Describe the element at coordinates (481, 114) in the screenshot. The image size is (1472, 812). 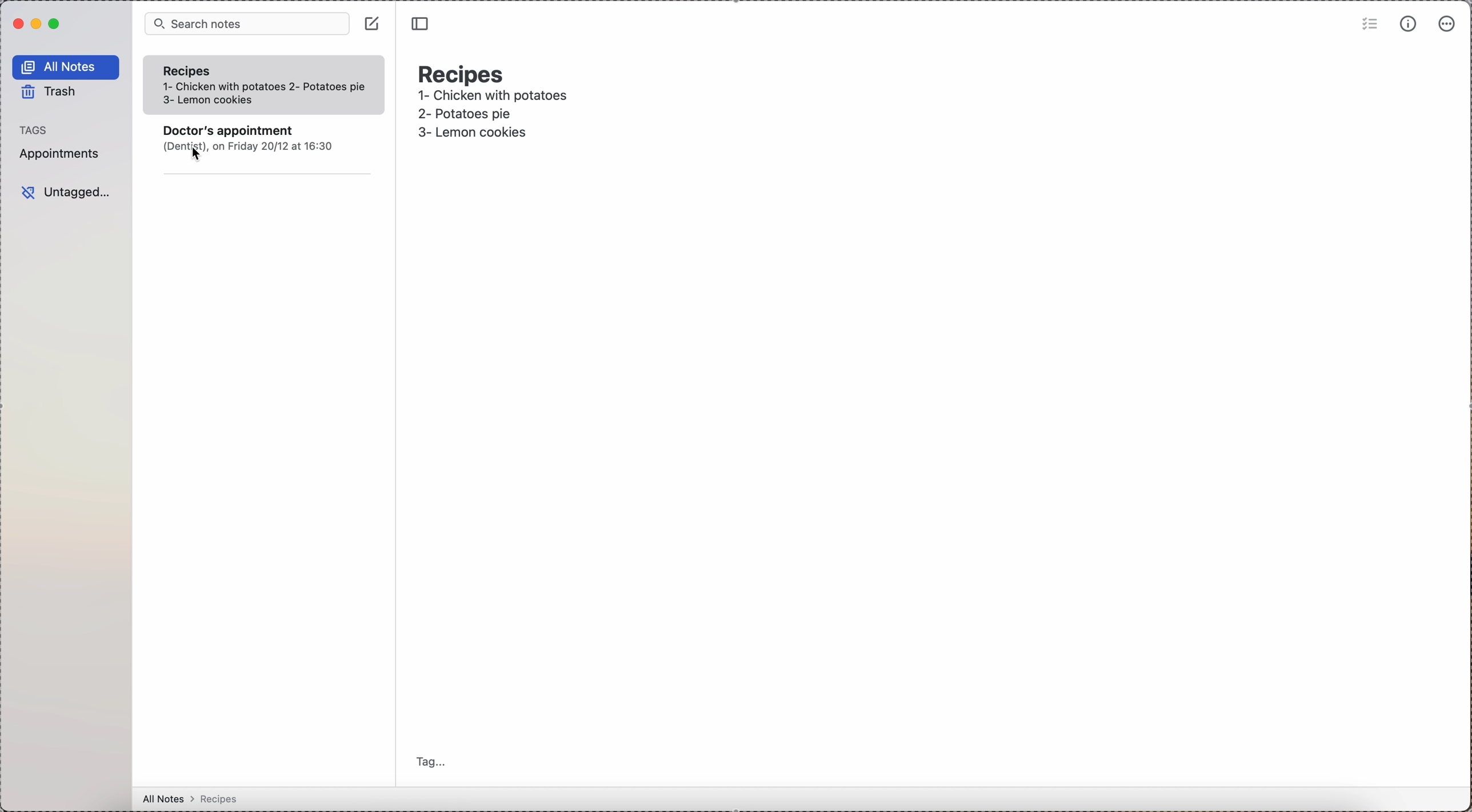
I see `2-Potatoes pie` at that location.